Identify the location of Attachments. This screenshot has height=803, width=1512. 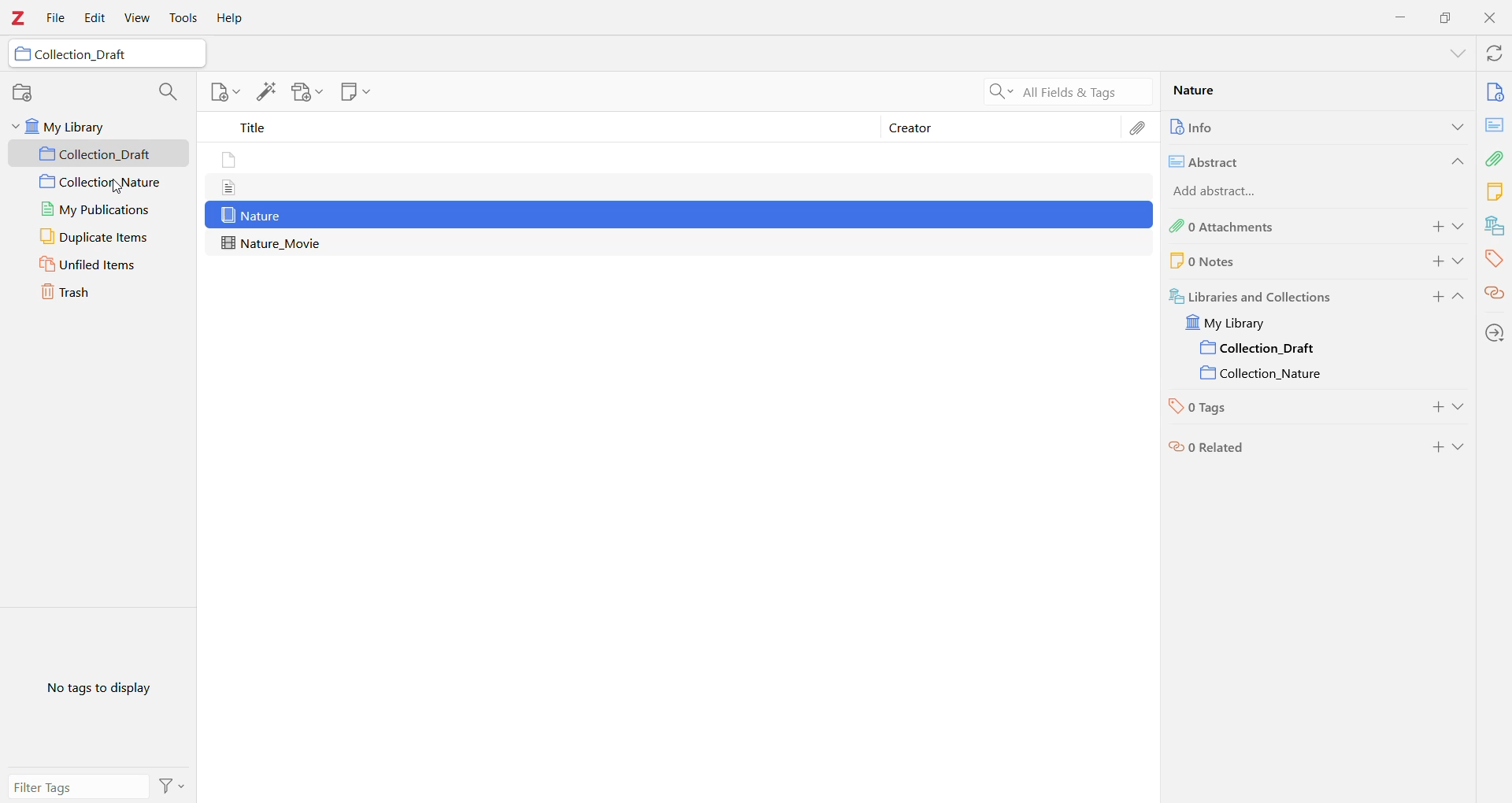
(1139, 126).